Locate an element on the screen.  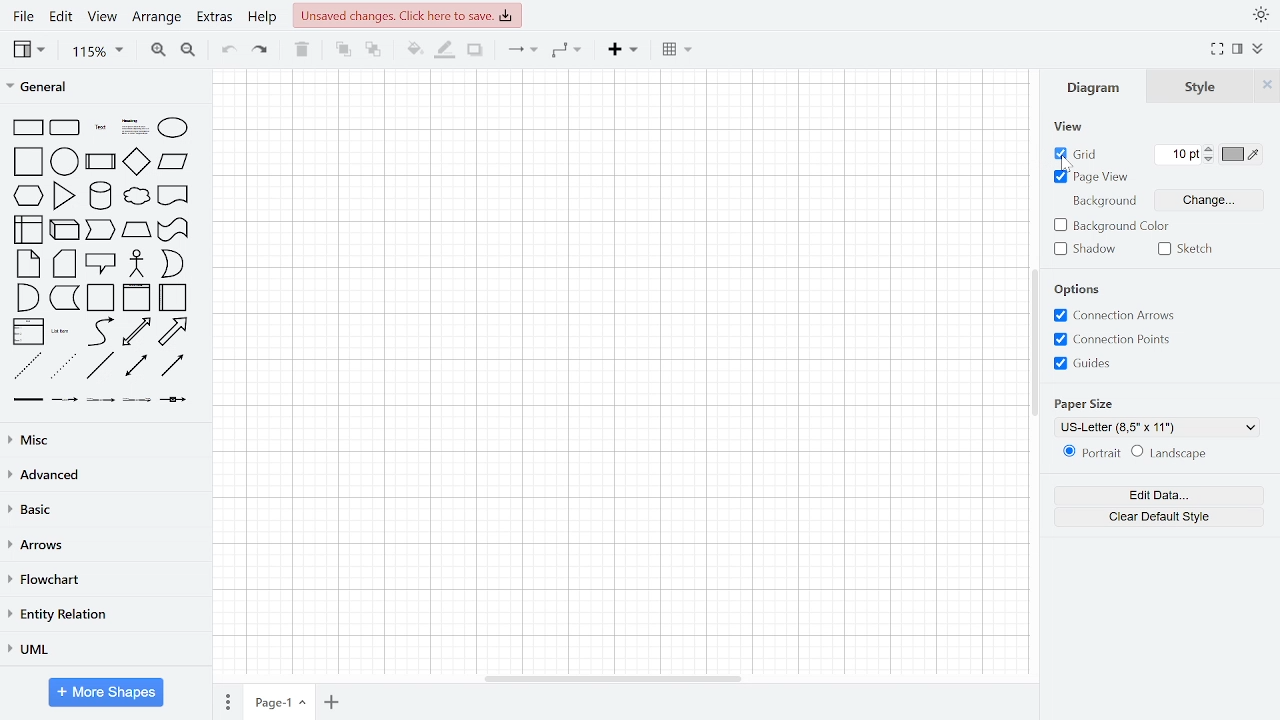
vertical scrollbar is located at coordinates (1034, 341).